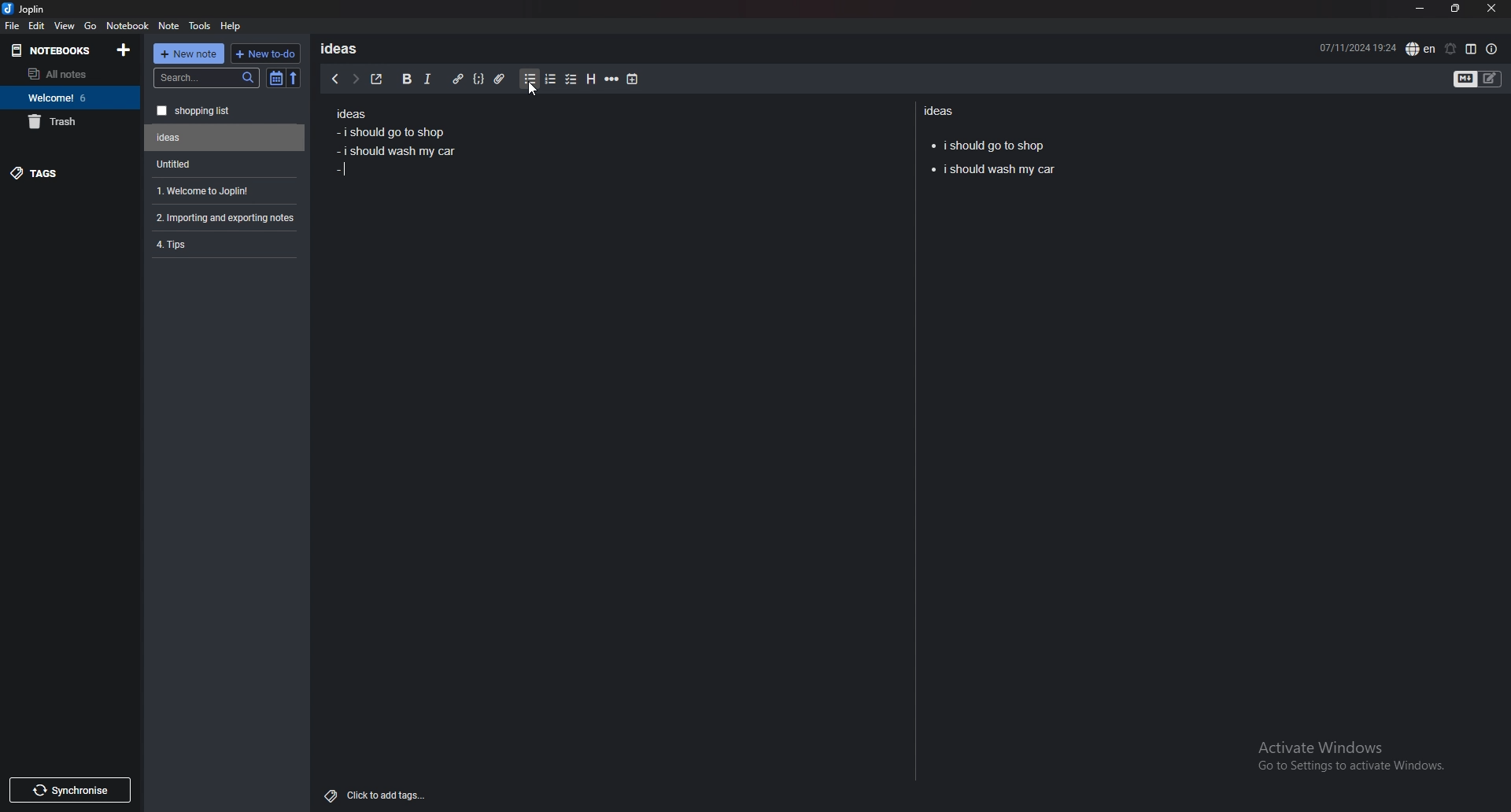  What do you see at coordinates (350, 115) in the screenshot?
I see `ideas` at bounding box center [350, 115].